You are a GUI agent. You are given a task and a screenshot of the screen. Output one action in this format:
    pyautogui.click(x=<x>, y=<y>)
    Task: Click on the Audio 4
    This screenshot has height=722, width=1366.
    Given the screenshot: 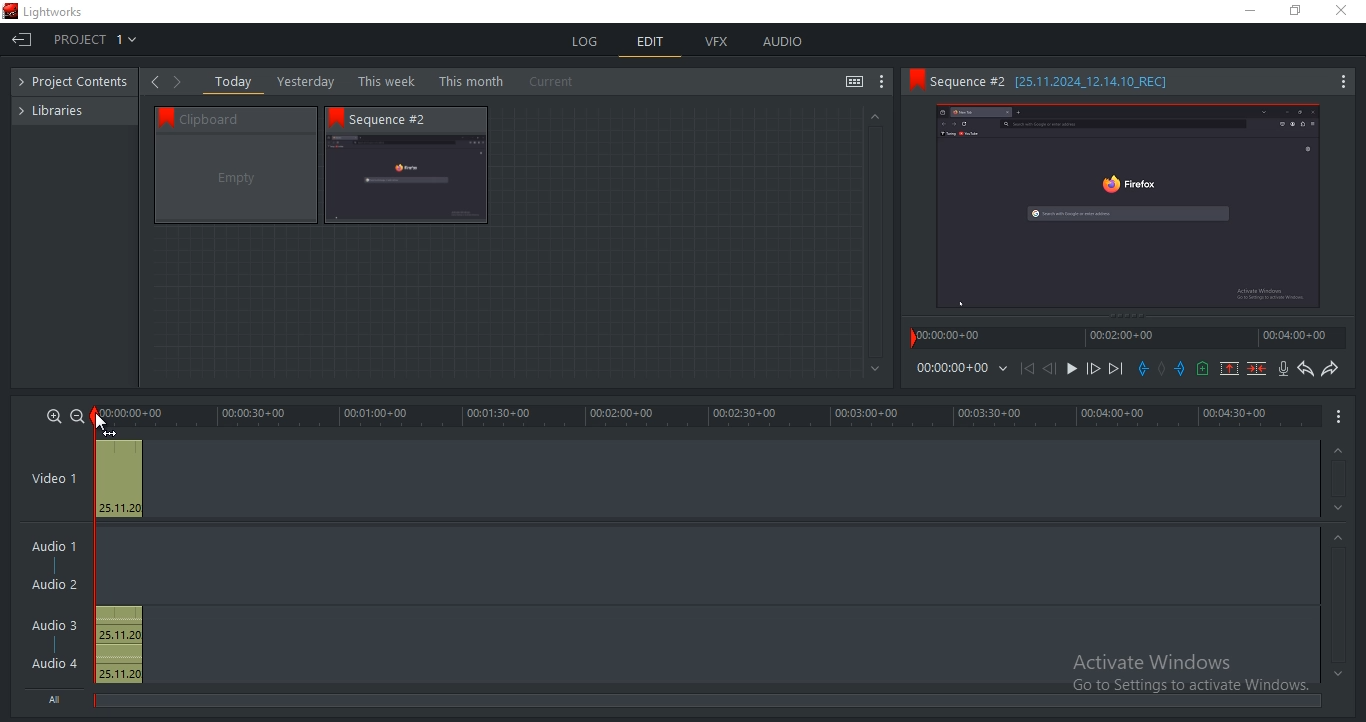 What is the action you would take?
    pyautogui.click(x=55, y=662)
    